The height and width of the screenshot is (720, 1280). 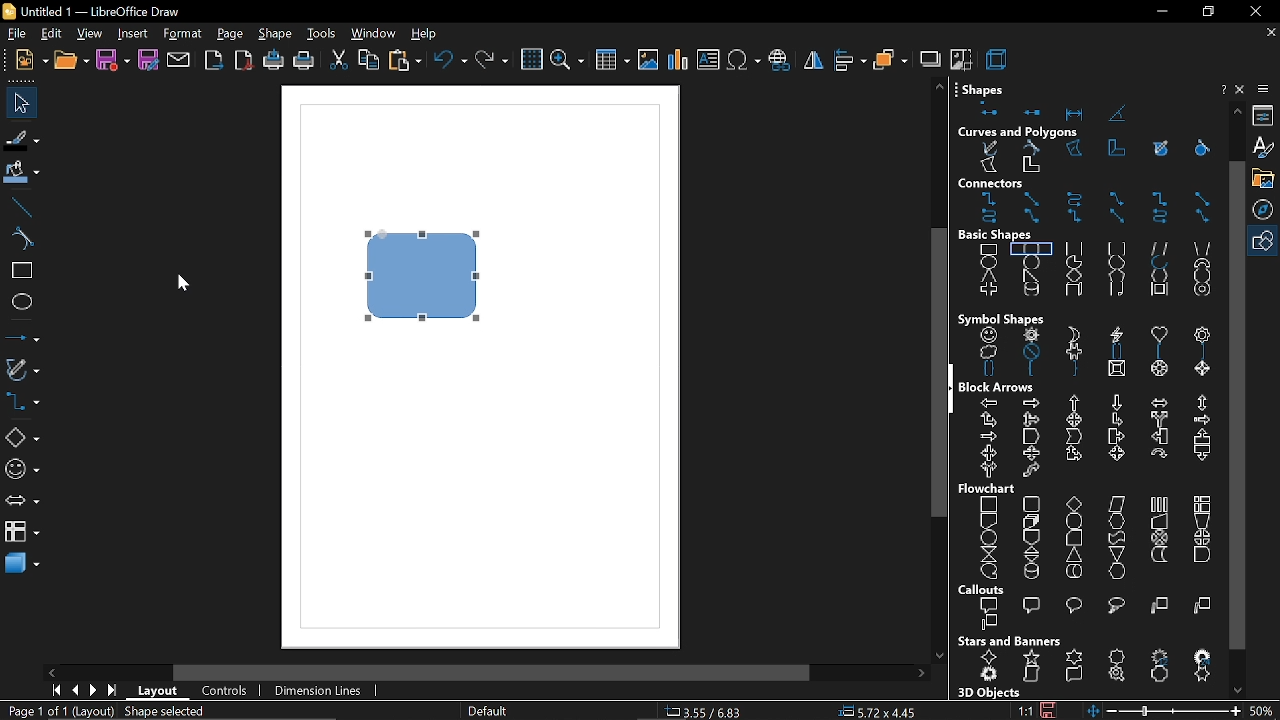 I want to click on stars and banners, so click(x=1009, y=641).